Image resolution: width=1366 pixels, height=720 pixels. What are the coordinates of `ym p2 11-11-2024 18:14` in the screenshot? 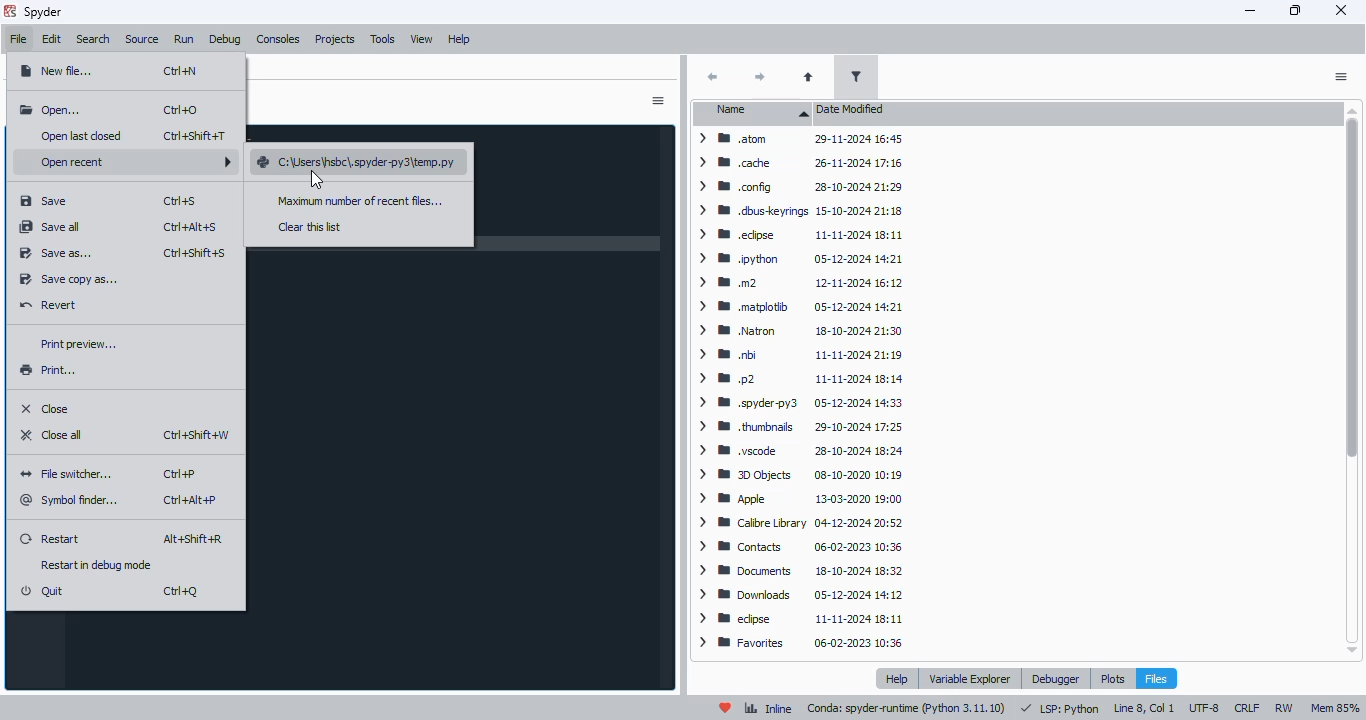 It's located at (796, 376).